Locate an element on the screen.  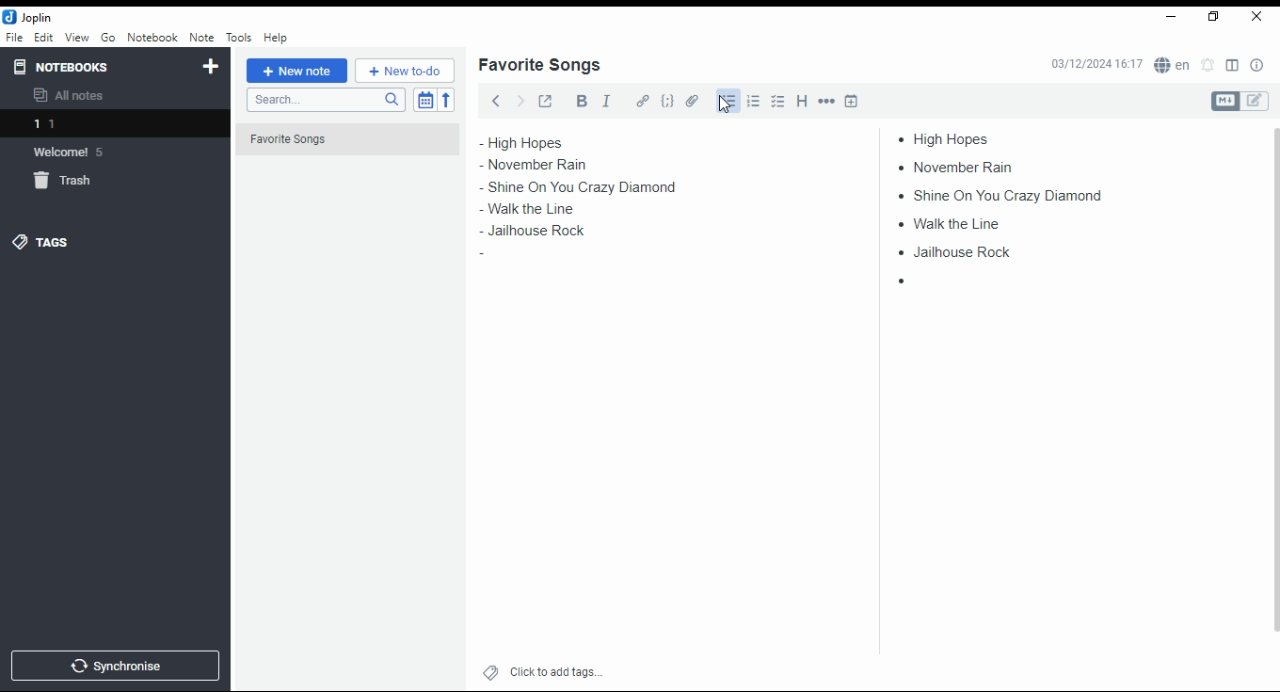
search is located at coordinates (325, 100).